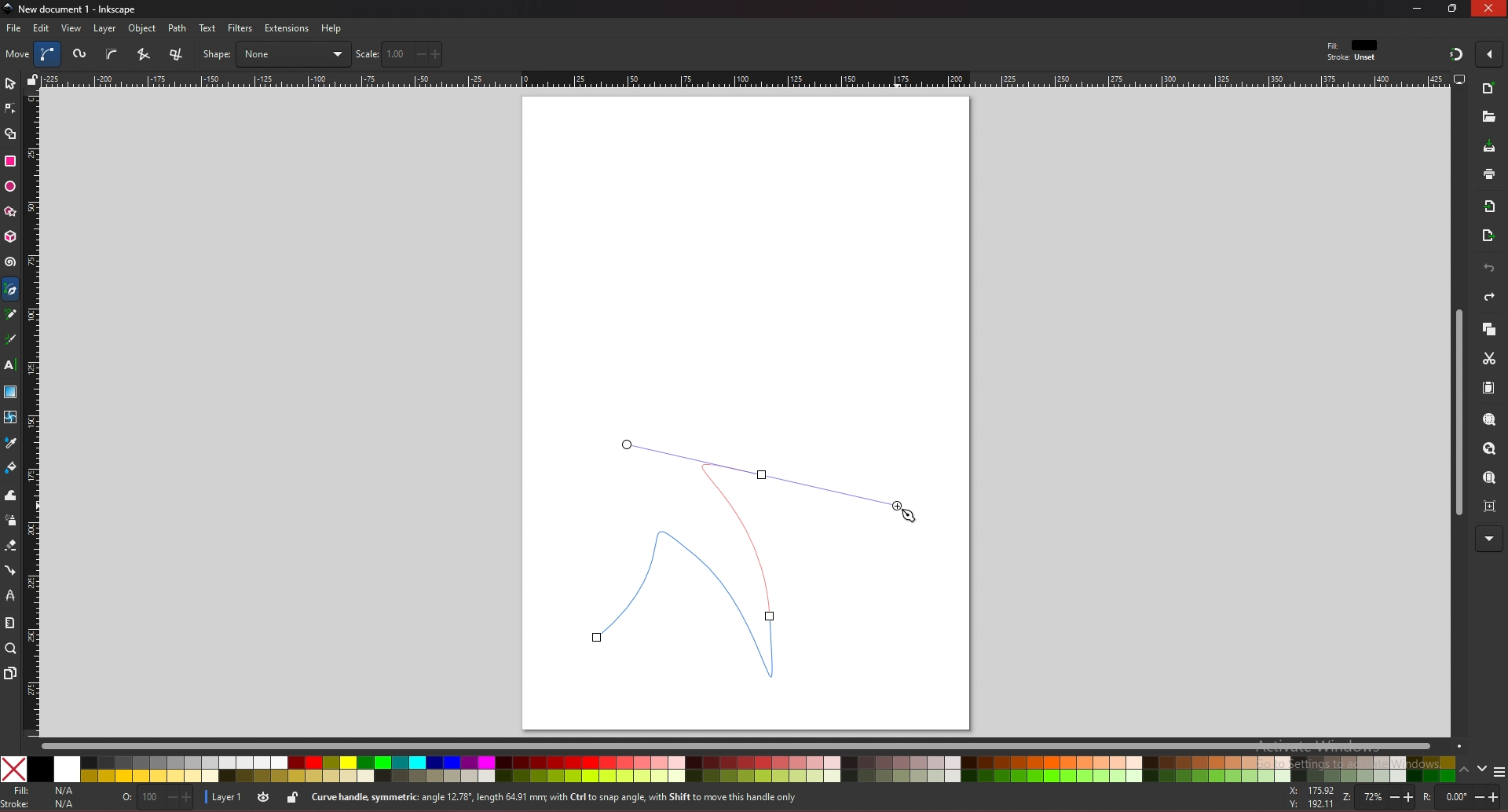  What do you see at coordinates (13, 341) in the screenshot?
I see `calligraphy` at bounding box center [13, 341].